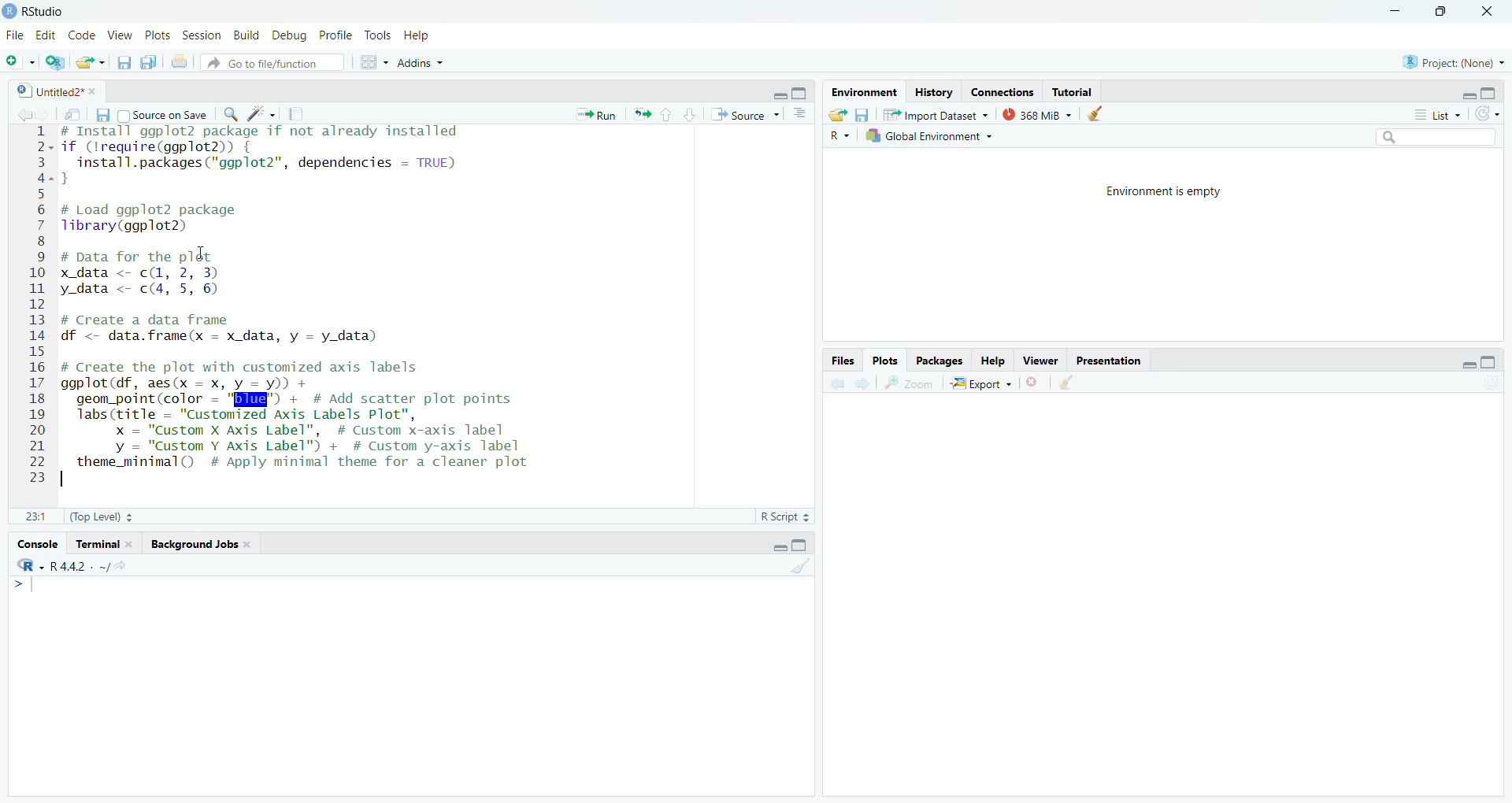 The image size is (1512, 803). I want to click on Tools, so click(378, 35).